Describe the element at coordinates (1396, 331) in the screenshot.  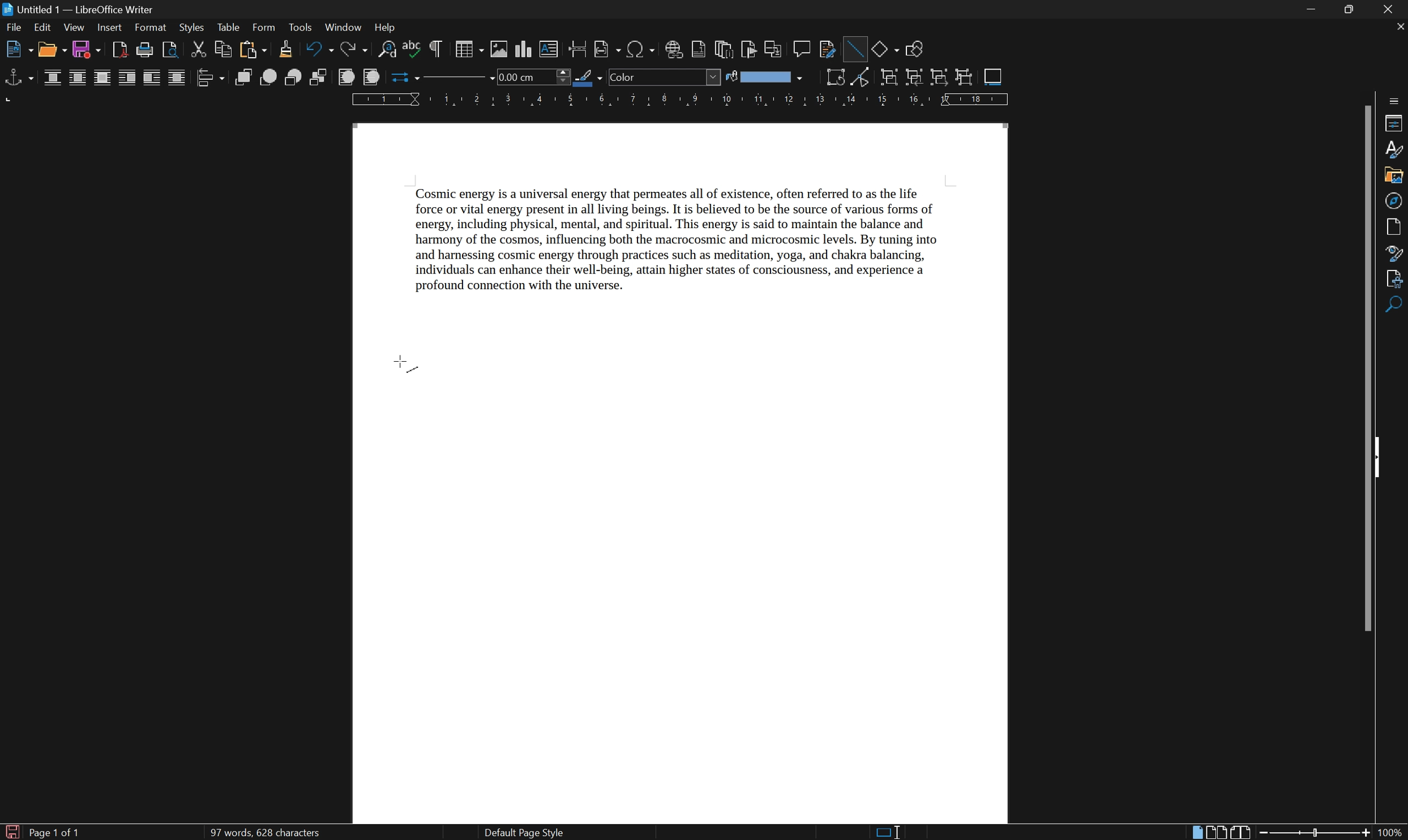
I see `find` at that location.